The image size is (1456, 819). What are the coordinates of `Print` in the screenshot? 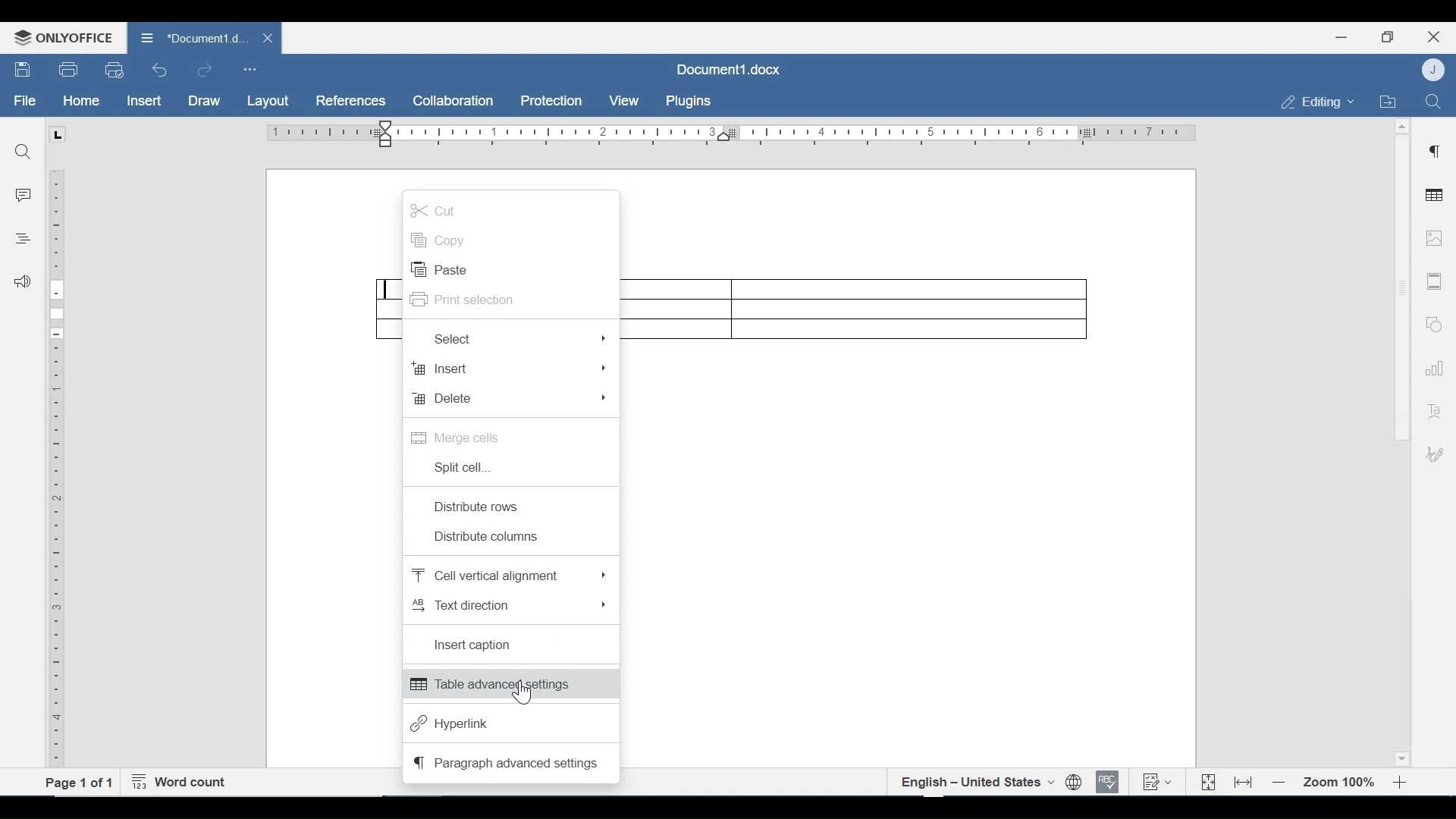 It's located at (69, 70).